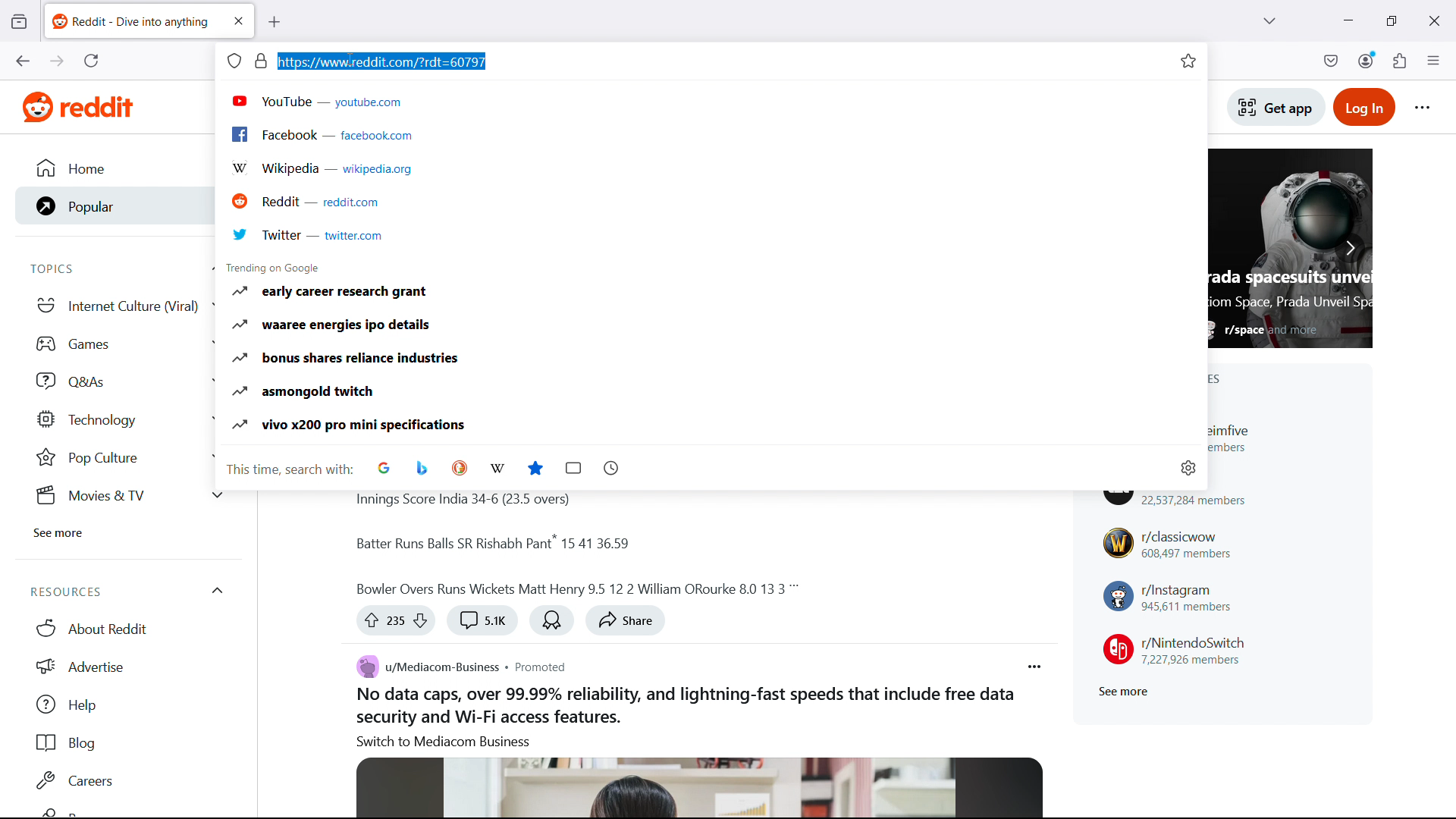  I want to click on history, so click(612, 469).